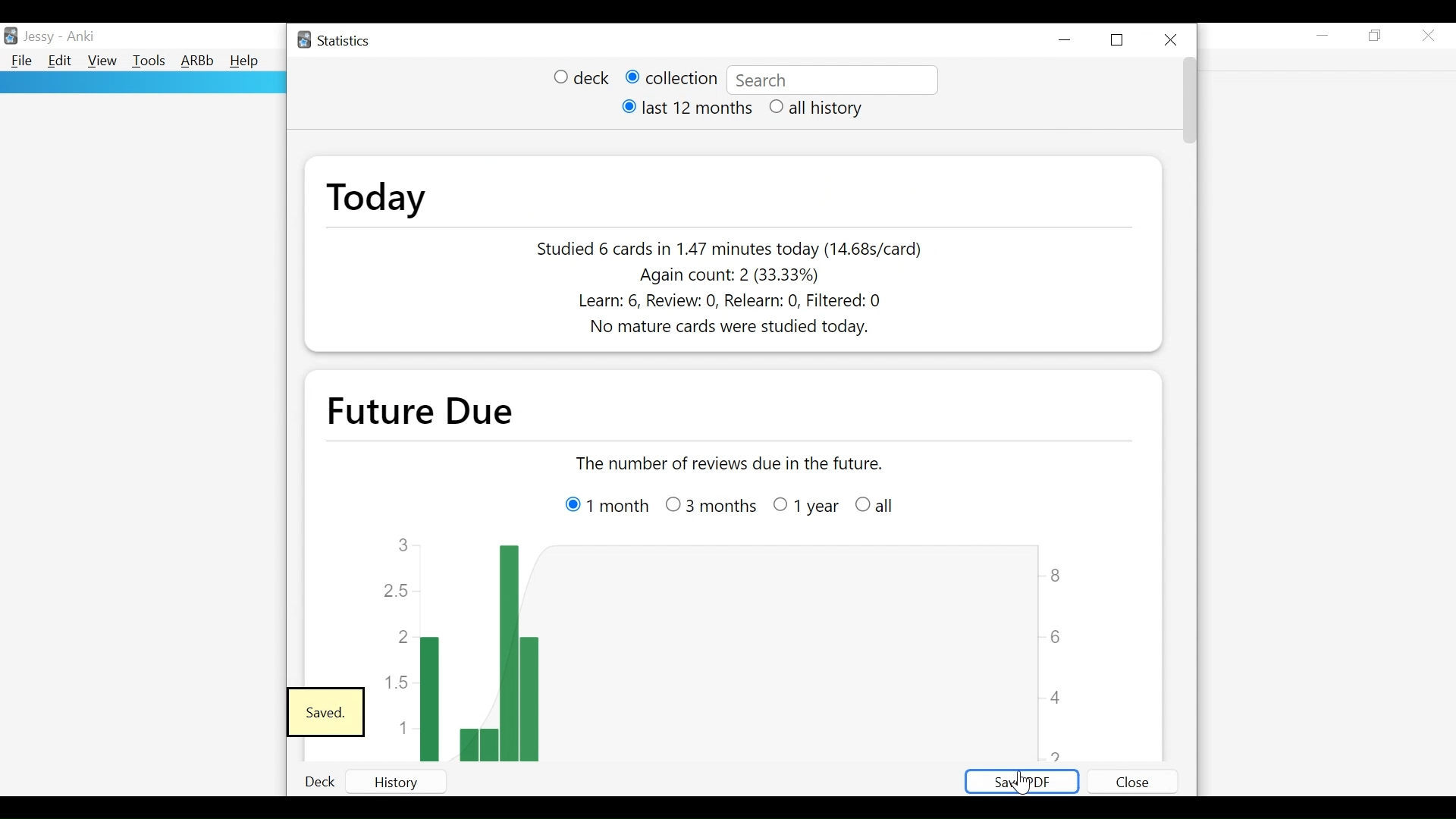 Image resolution: width=1456 pixels, height=819 pixels. What do you see at coordinates (61, 62) in the screenshot?
I see `Edit` at bounding box center [61, 62].